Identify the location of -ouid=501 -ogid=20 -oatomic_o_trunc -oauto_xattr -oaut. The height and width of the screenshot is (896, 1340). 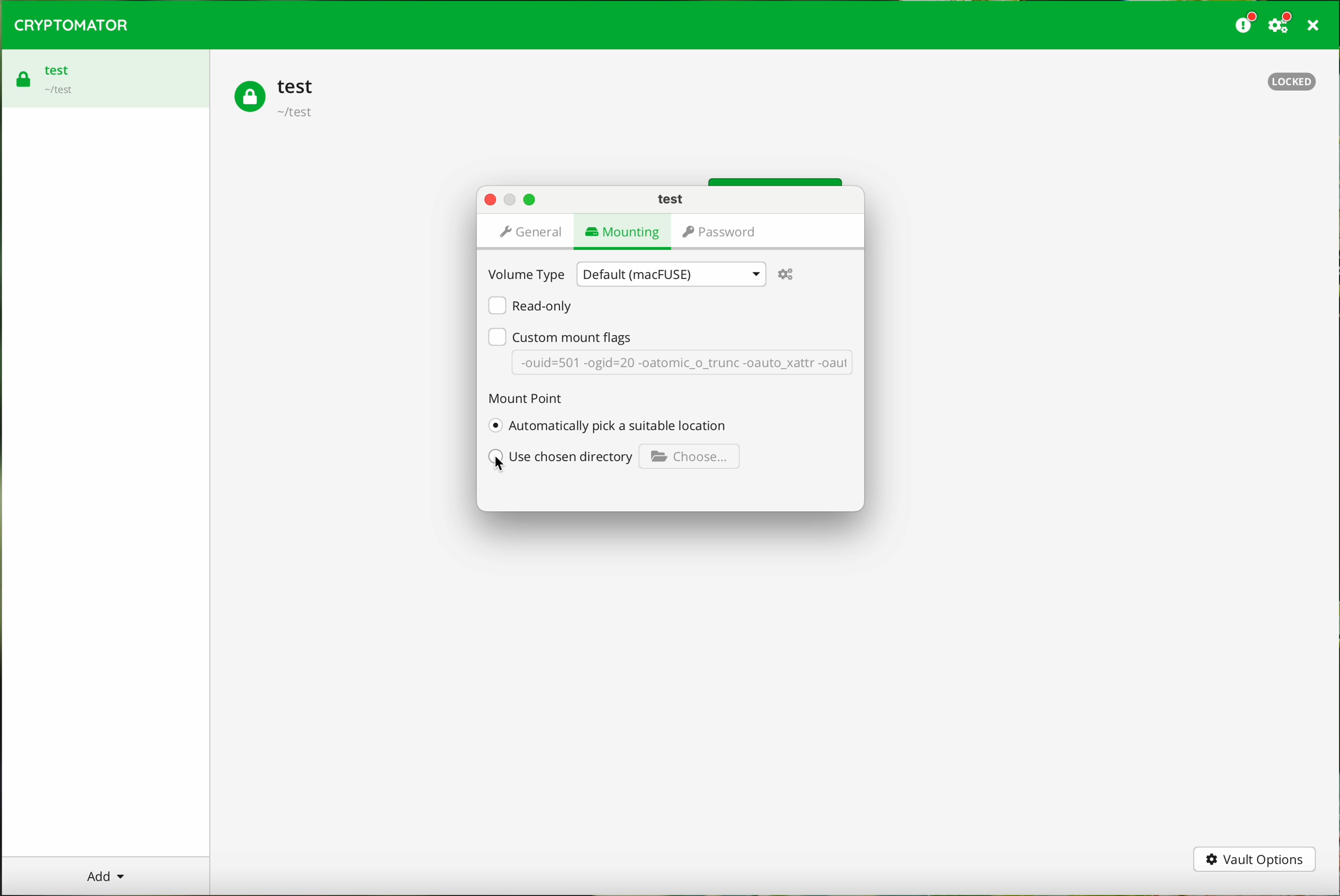
(682, 366).